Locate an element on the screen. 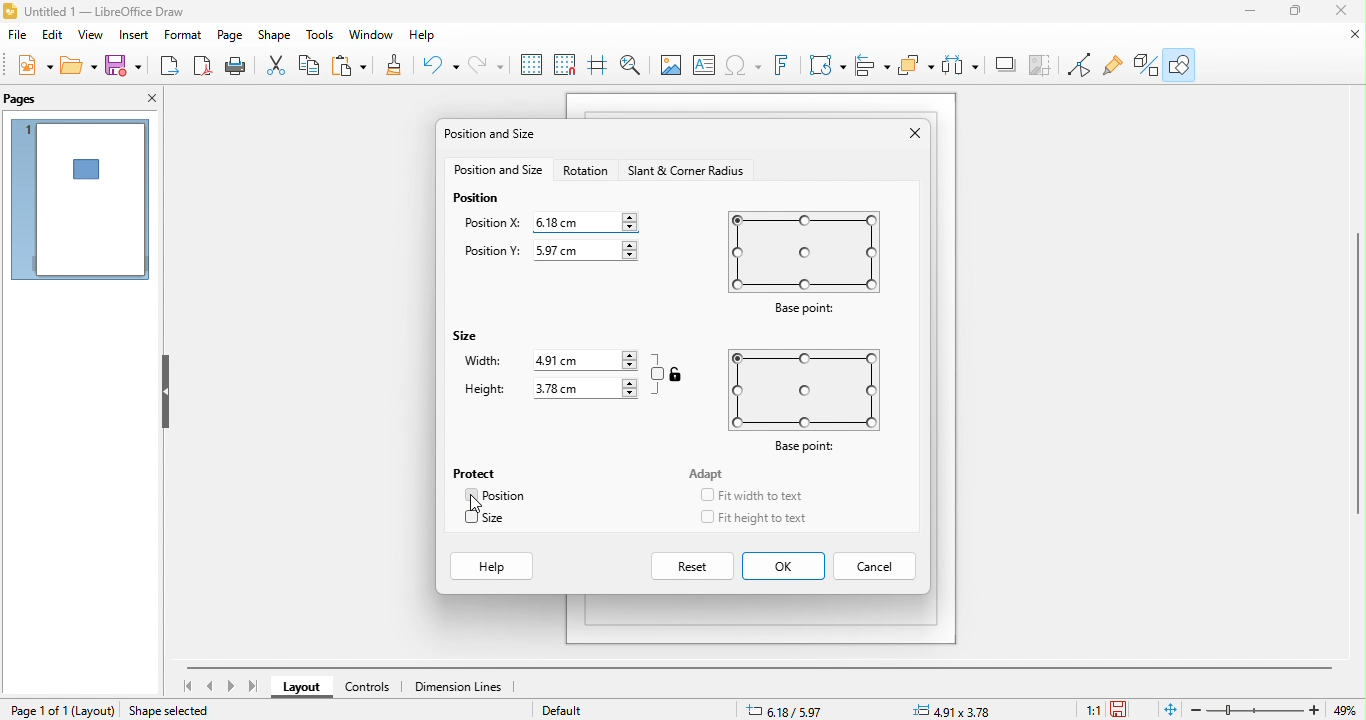  help is located at coordinates (494, 567).